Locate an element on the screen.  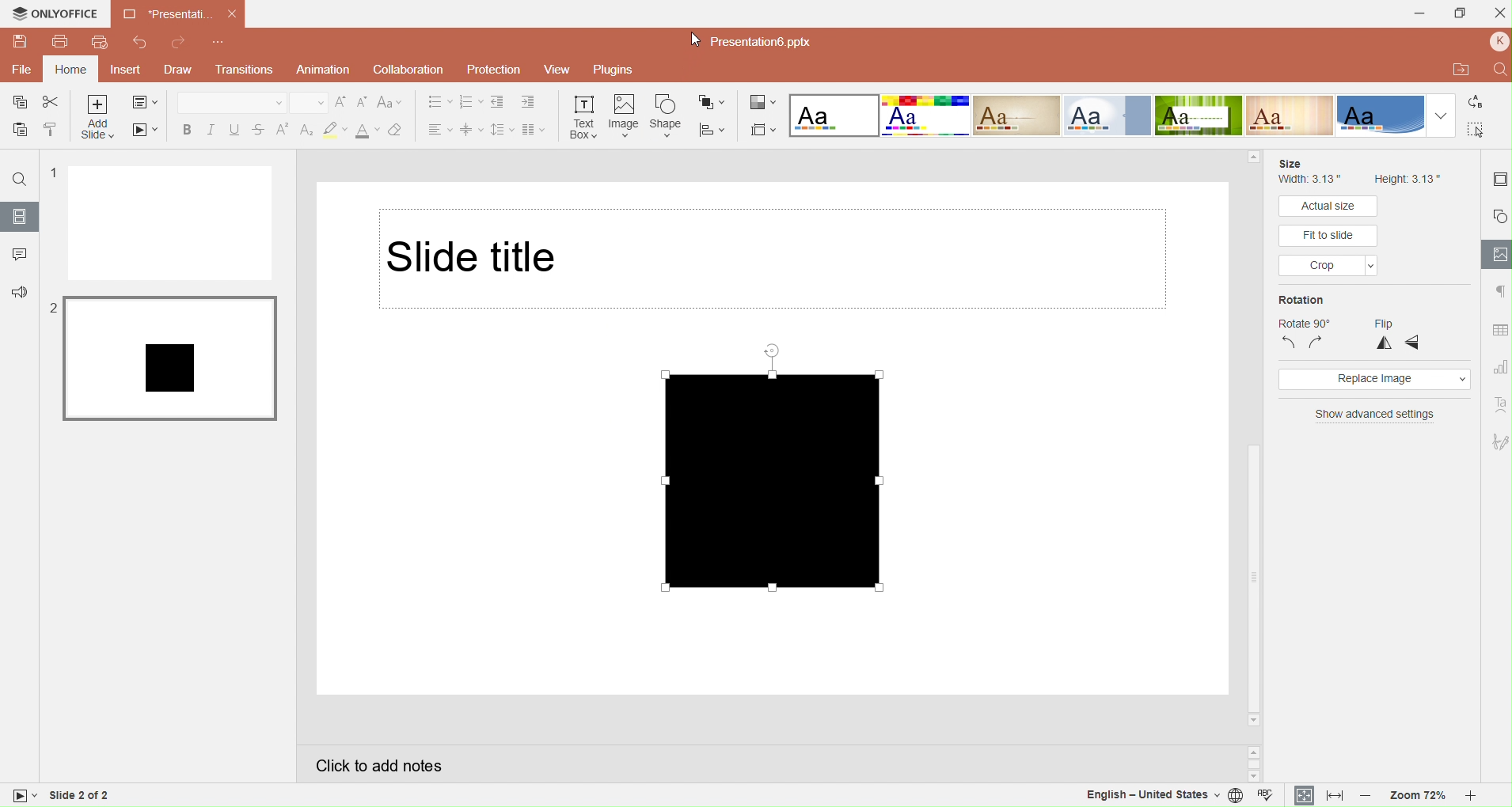
Increment font size is located at coordinates (341, 102).